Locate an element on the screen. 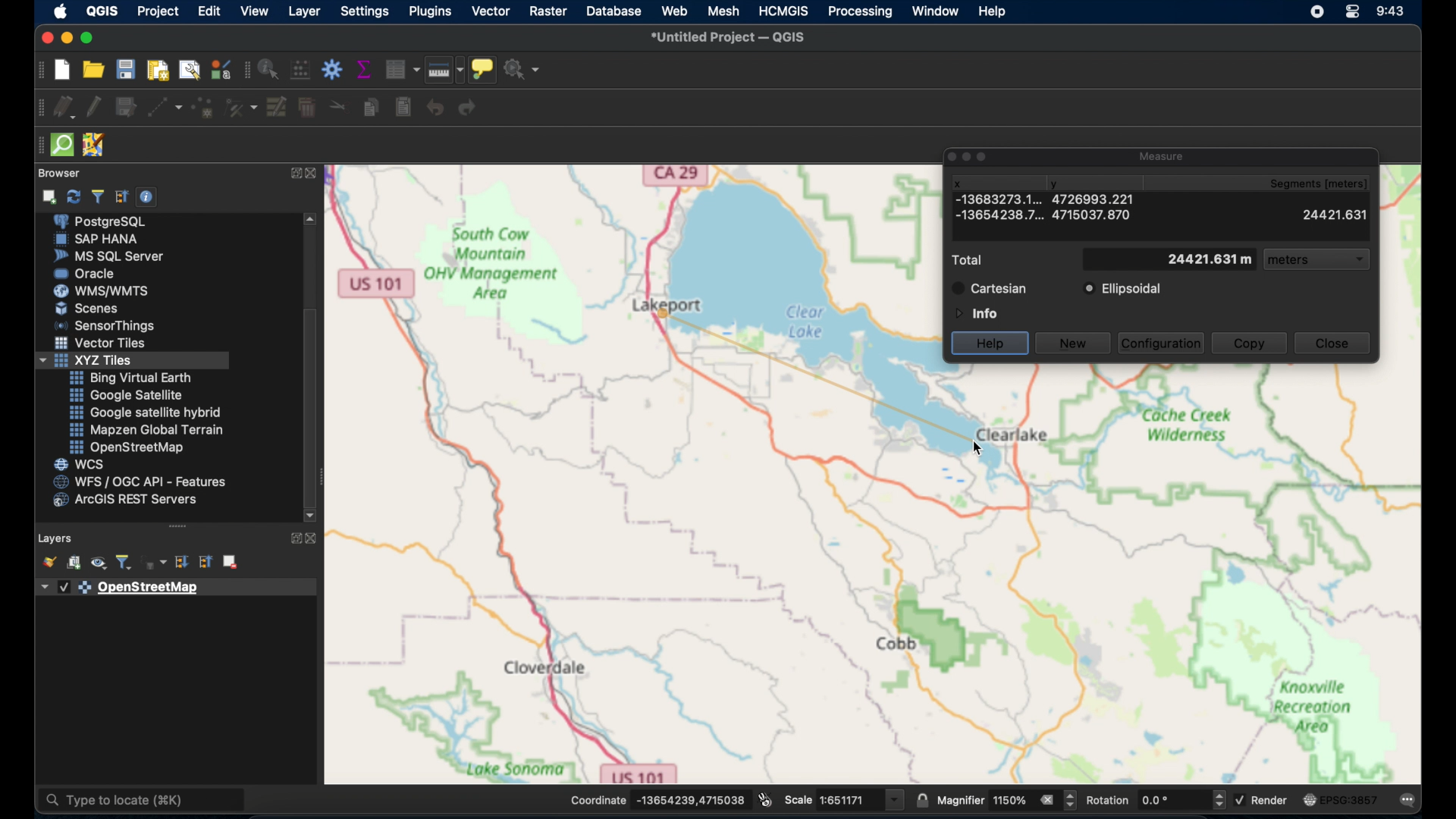 The image size is (1456, 819). close is located at coordinates (317, 176).